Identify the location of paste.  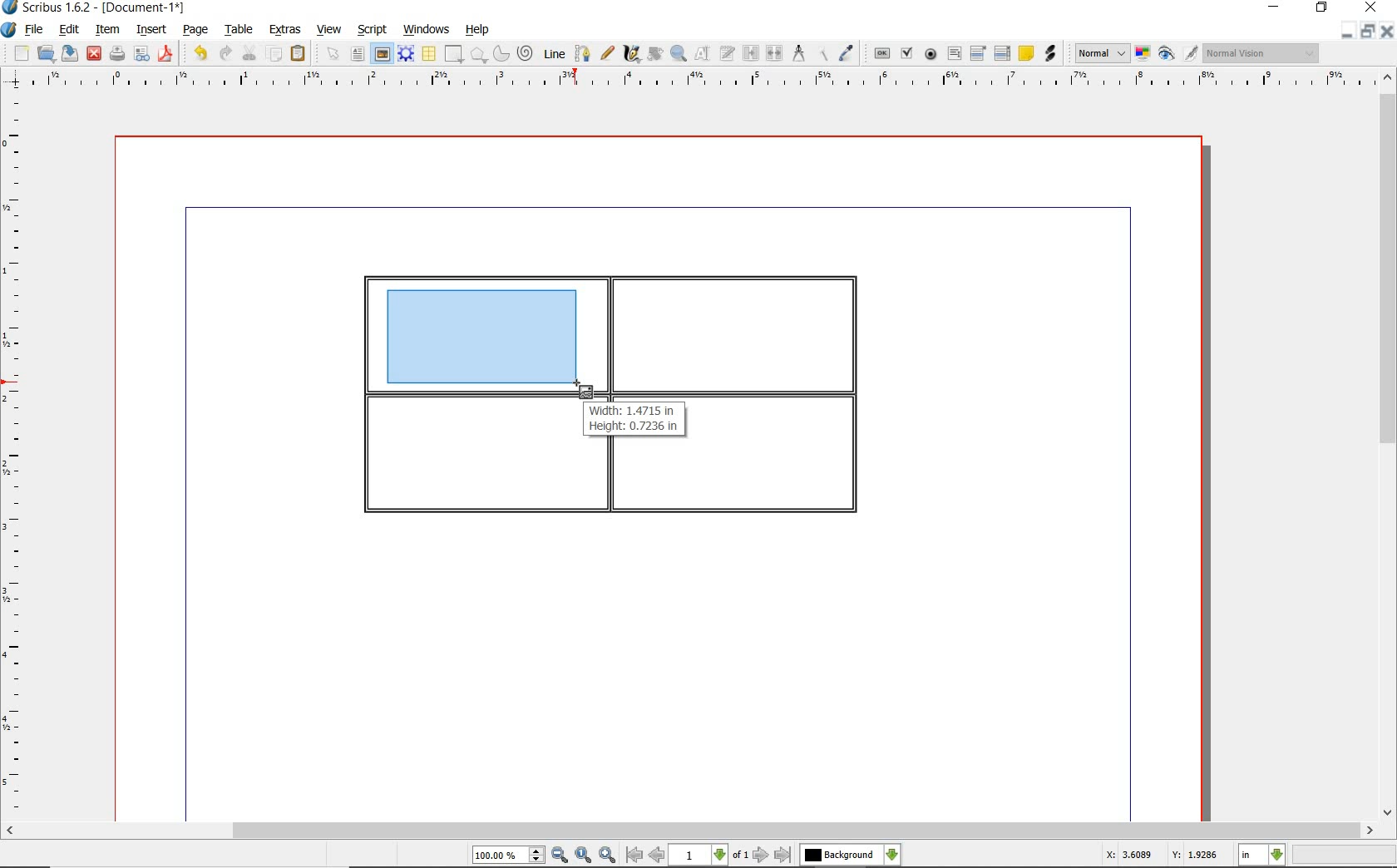
(298, 53).